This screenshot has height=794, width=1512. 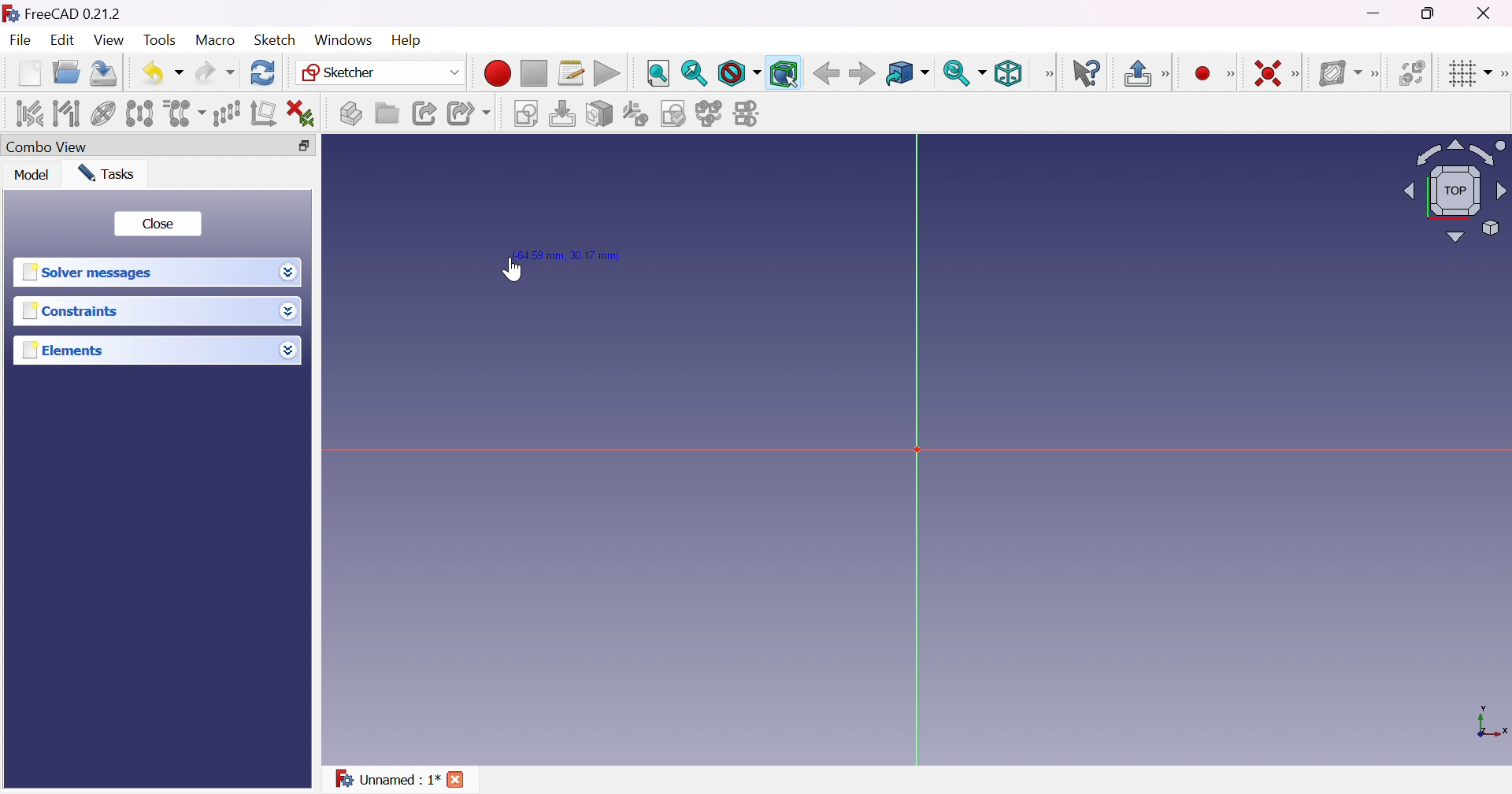 I want to click on Rectangular array, so click(x=226, y=114).